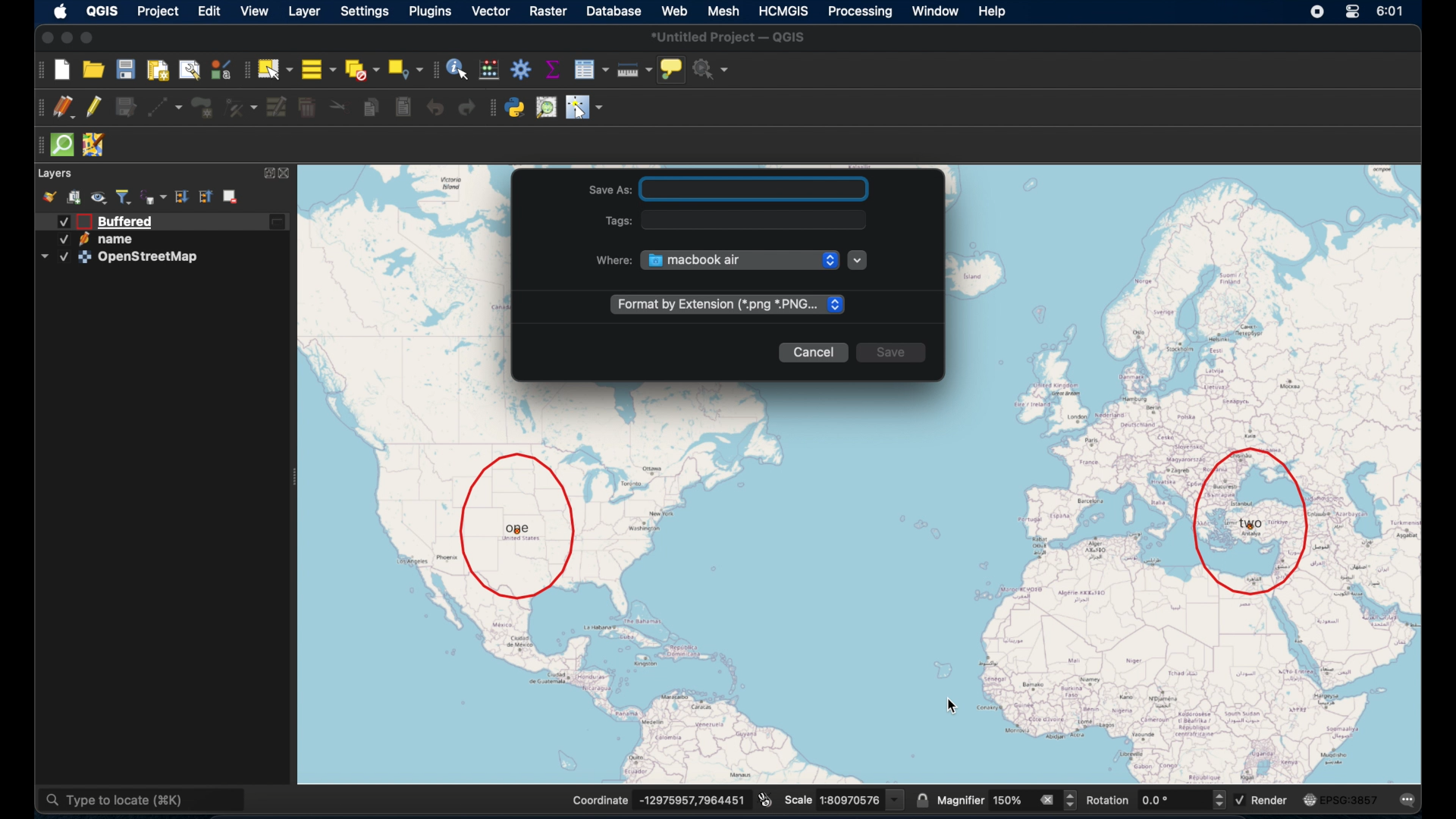 The width and height of the screenshot is (1456, 819). I want to click on location one, so click(516, 523).